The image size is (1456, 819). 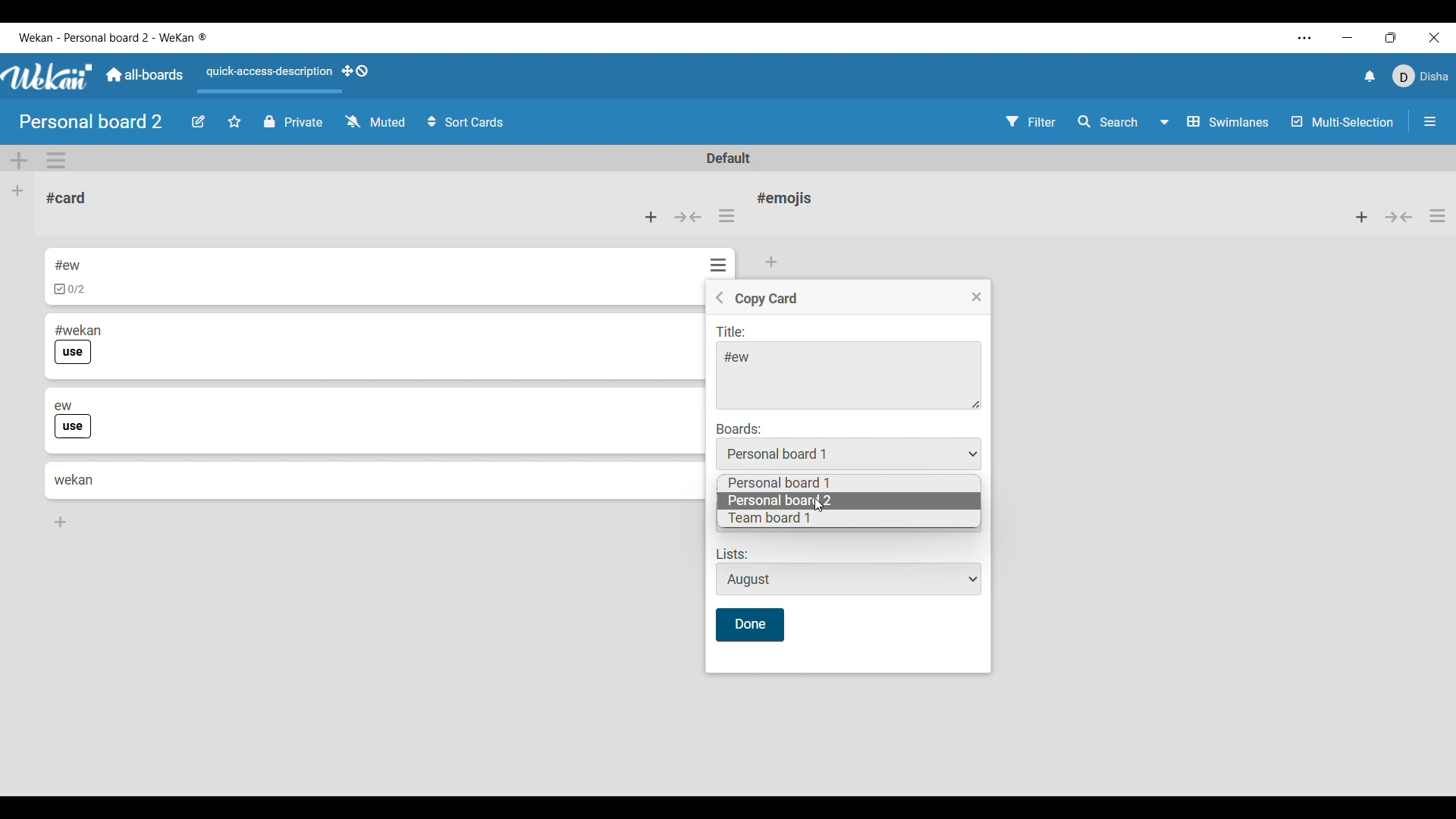 I want to click on List actions, so click(x=726, y=215).